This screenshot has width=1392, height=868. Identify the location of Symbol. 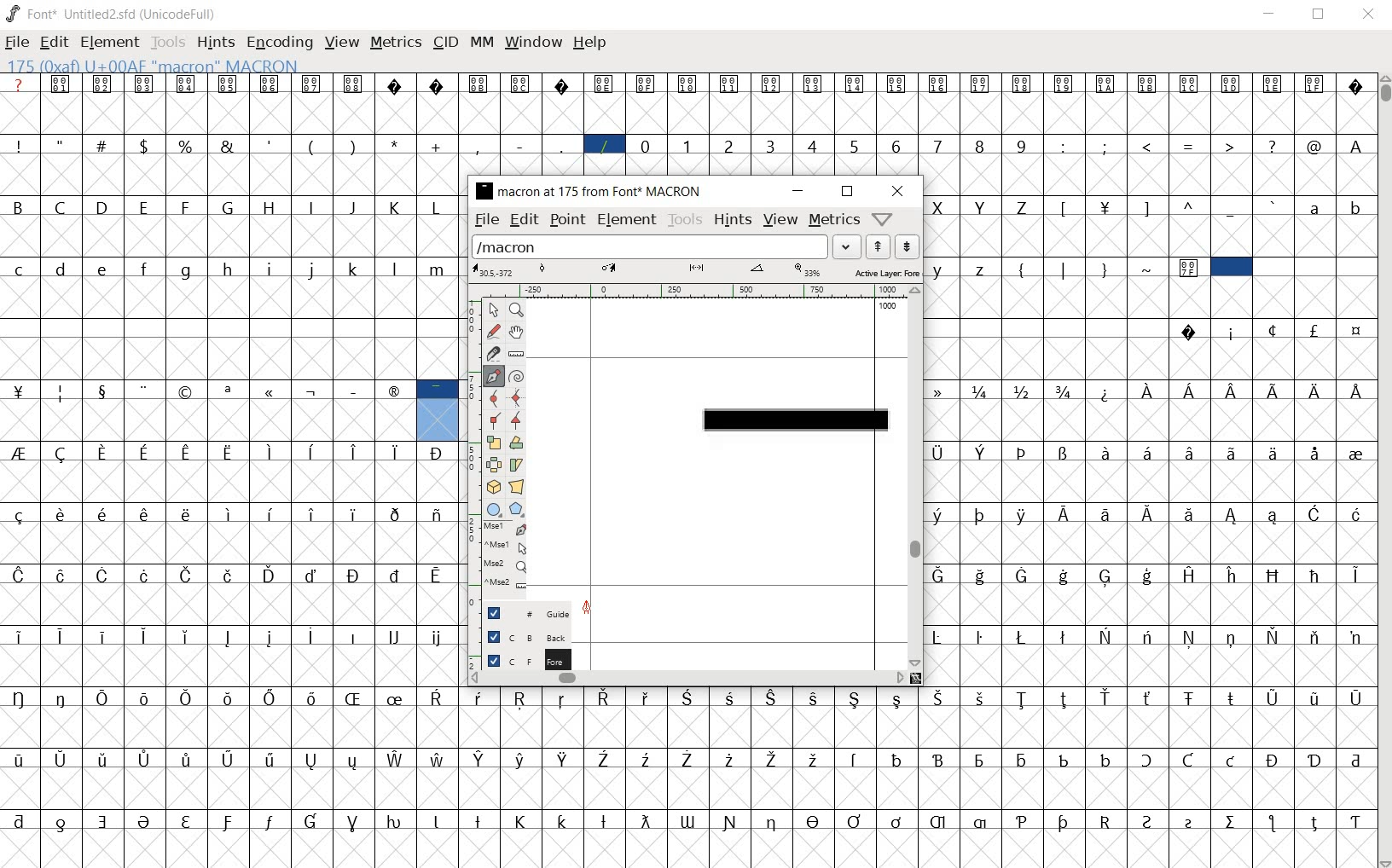
(438, 637).